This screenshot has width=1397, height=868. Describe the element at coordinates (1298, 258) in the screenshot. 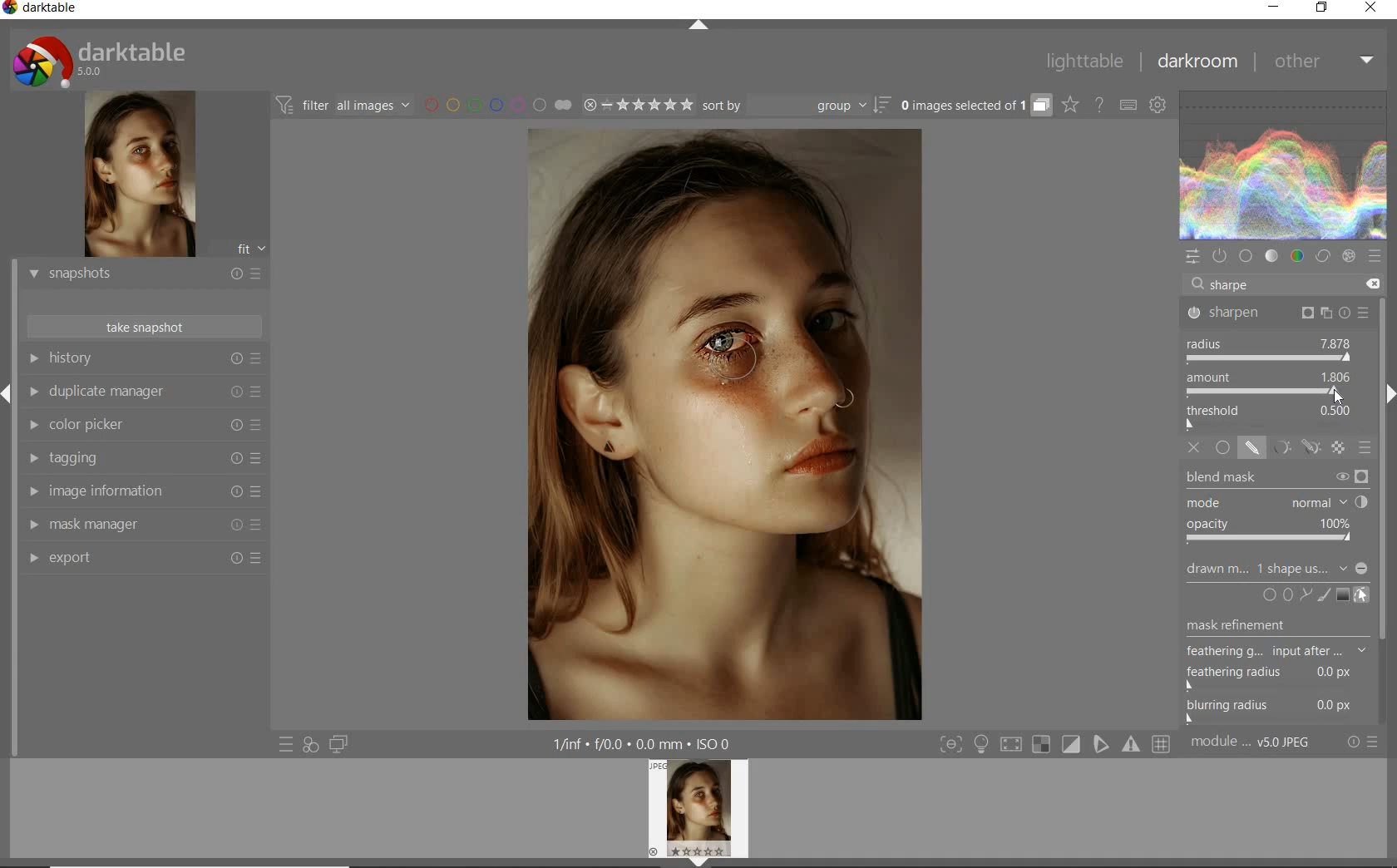

I see `color` at that location.